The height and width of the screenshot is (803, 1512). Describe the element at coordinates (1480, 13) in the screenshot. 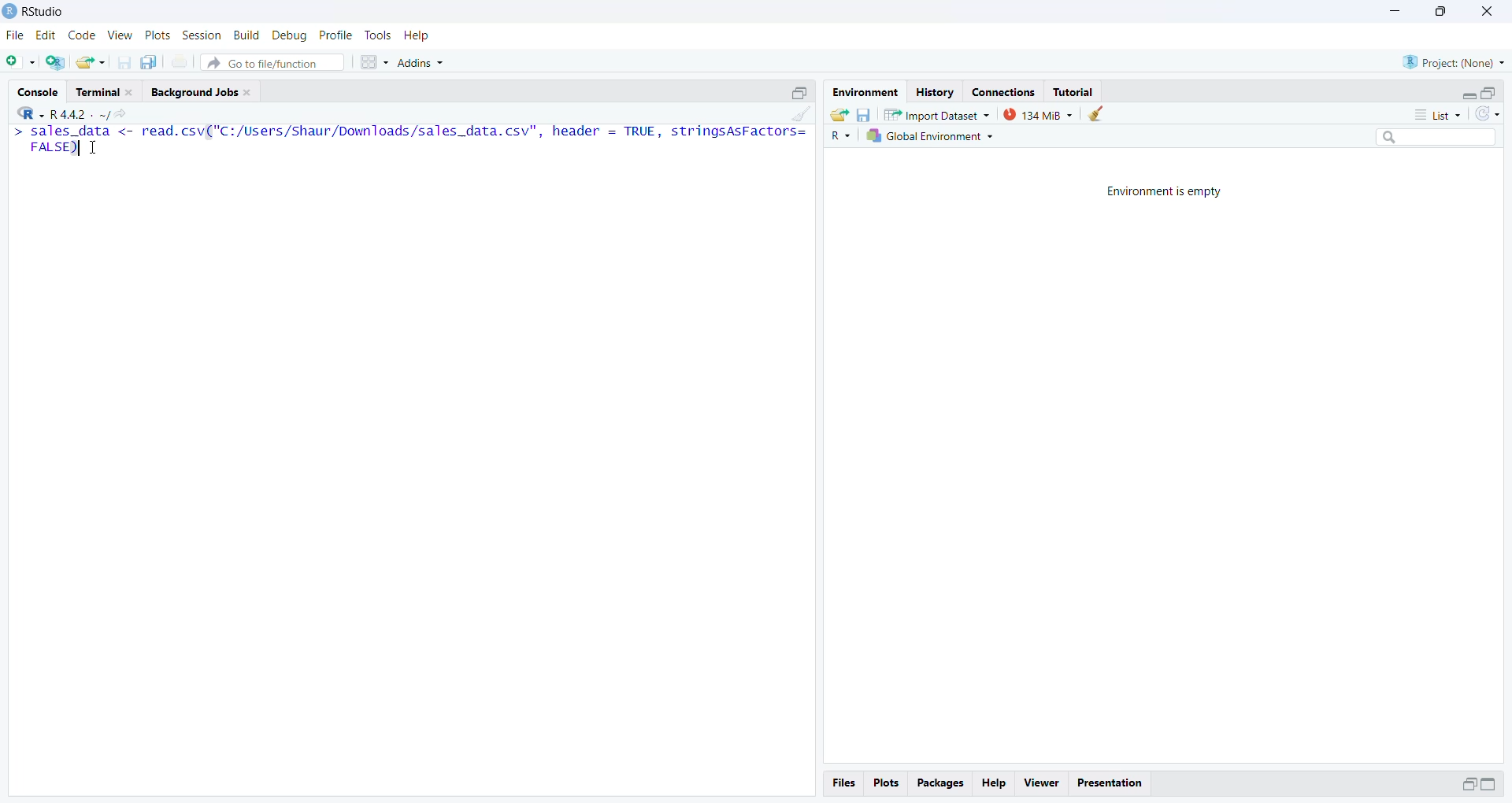

I see `Close` at that location.